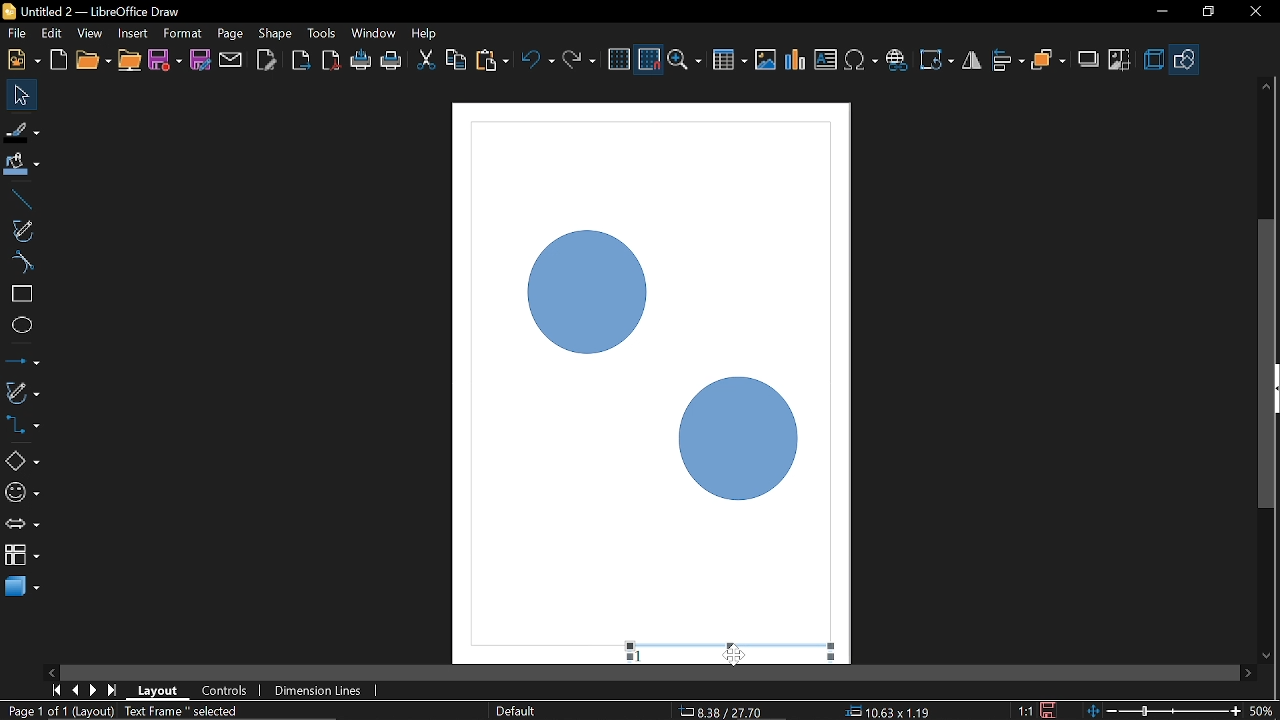  I want to click on Select, so click(23, 95).